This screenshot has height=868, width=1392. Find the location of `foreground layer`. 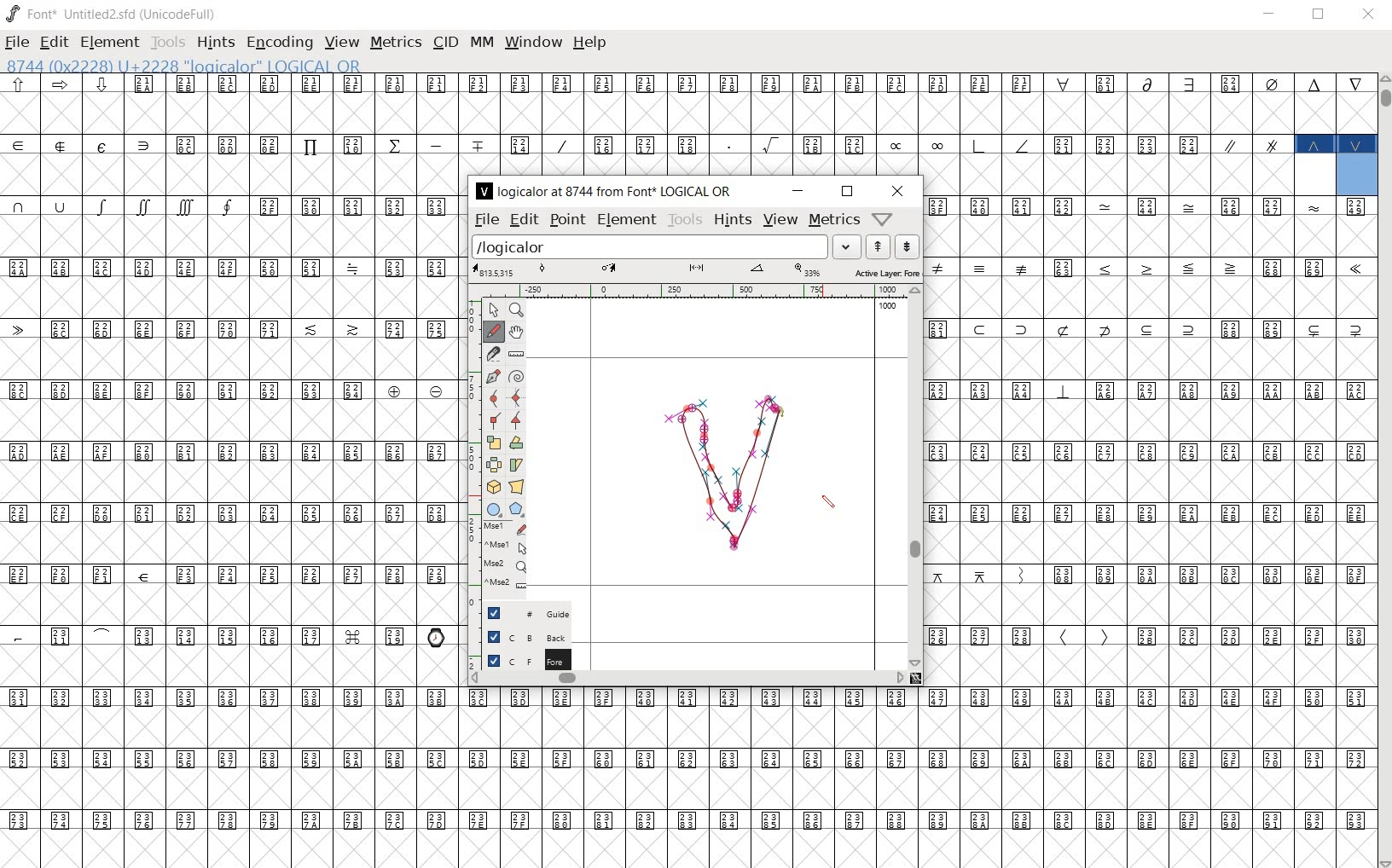

foreground layer is located at coordinates (519, 659).